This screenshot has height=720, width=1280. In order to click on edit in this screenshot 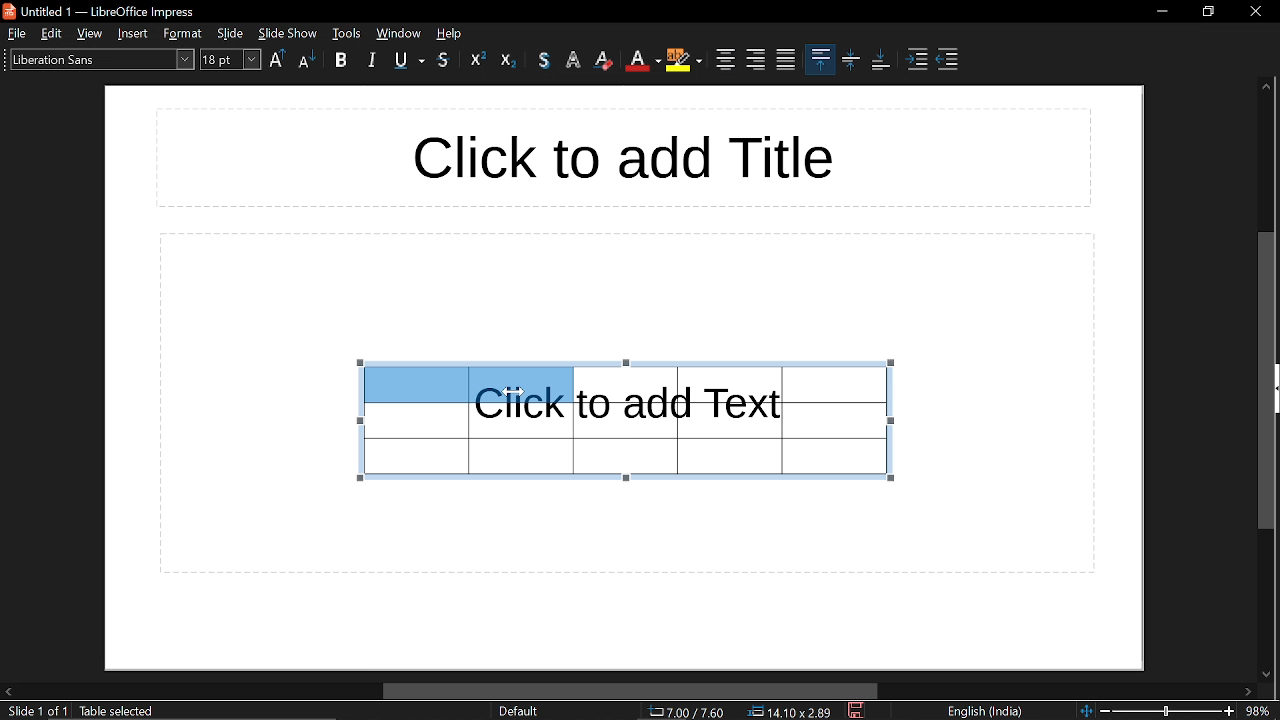, I will do `click(52, 33)`.